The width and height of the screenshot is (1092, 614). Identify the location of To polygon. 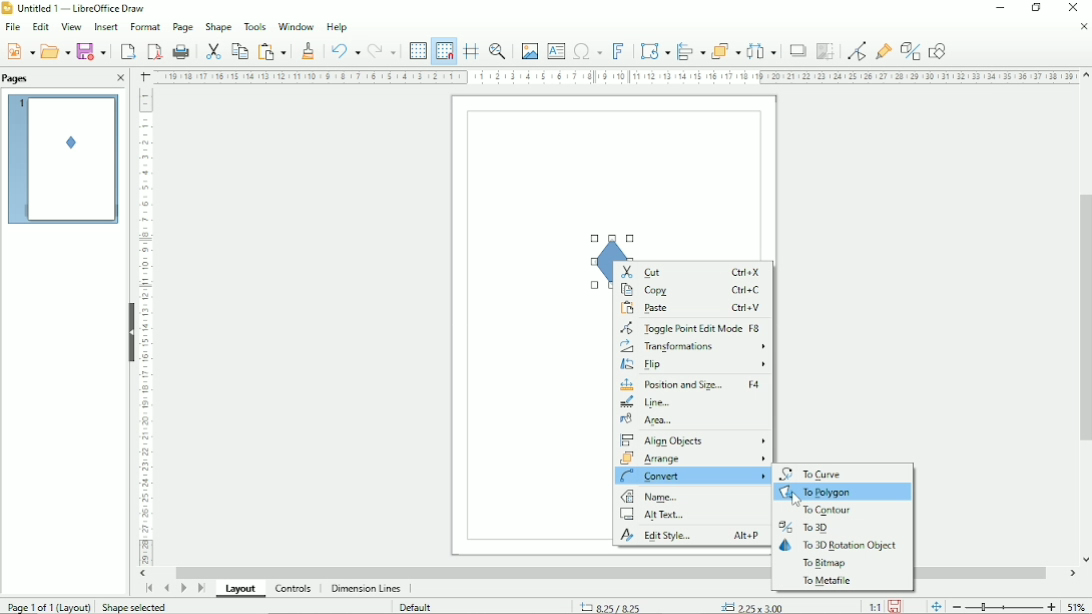
(813, 493).